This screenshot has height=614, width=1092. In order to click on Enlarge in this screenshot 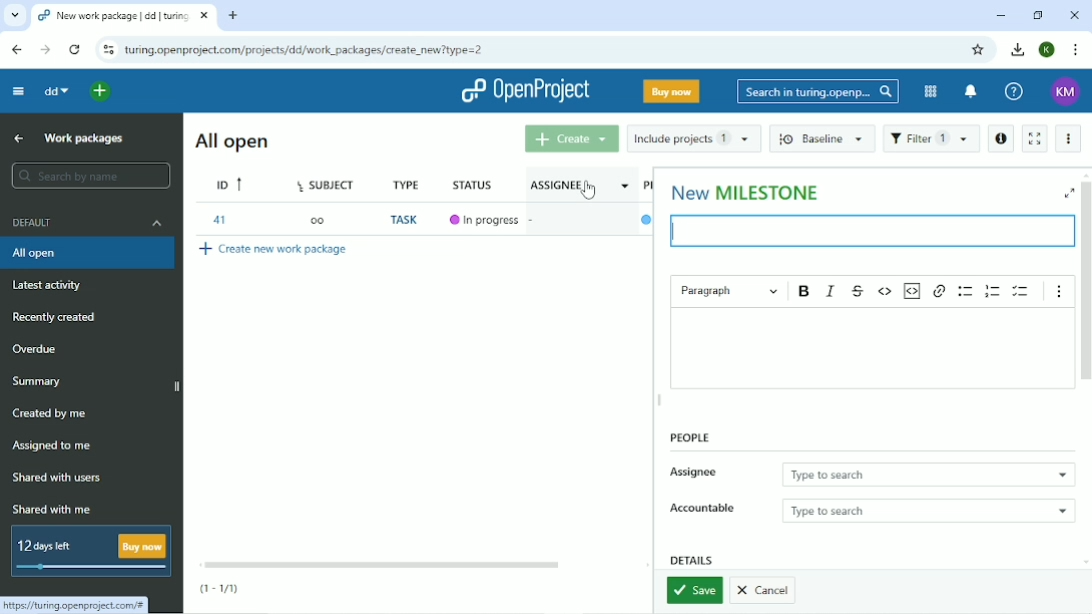, I will do `click(1068, 193)`.